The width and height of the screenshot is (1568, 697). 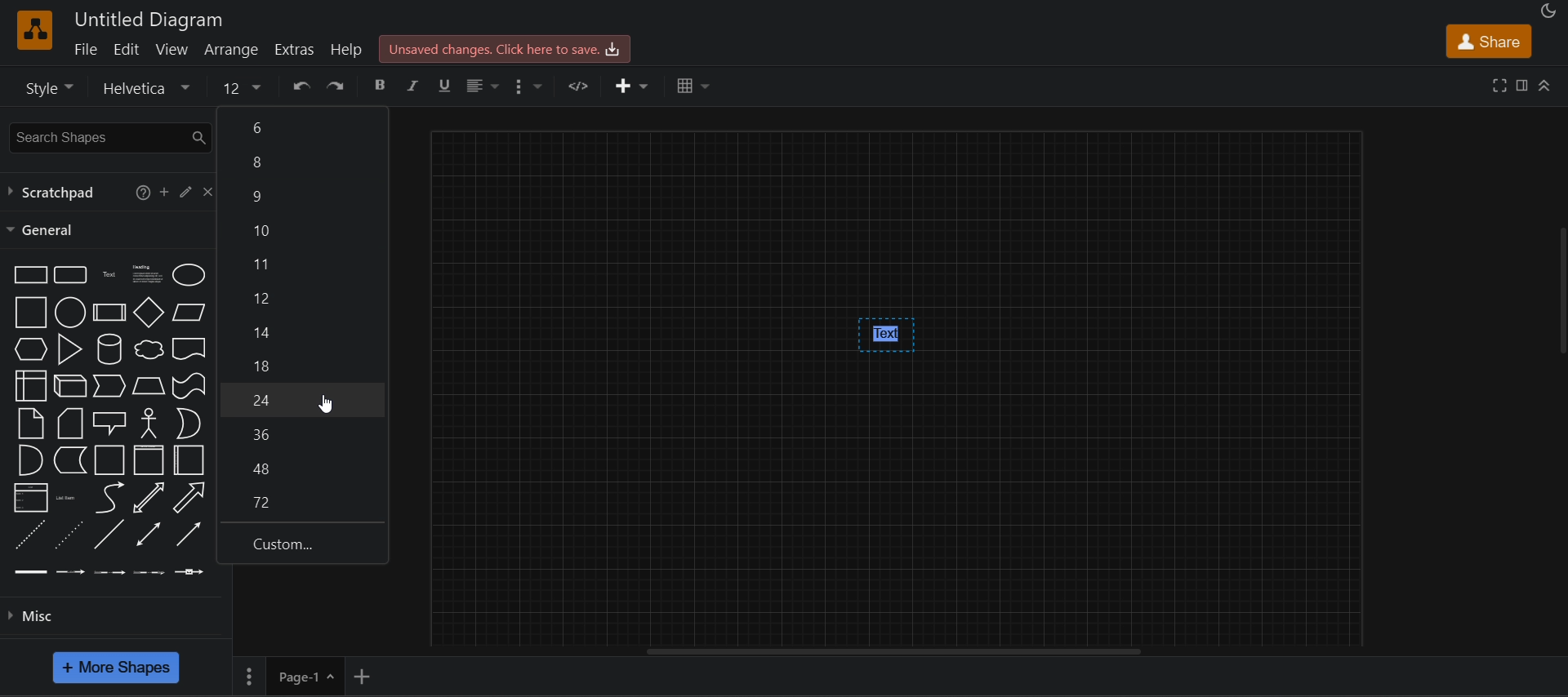 What do you see at coordinates (126, 49) in the screenshot?
I see `edit` at bounding box center [126, 49].